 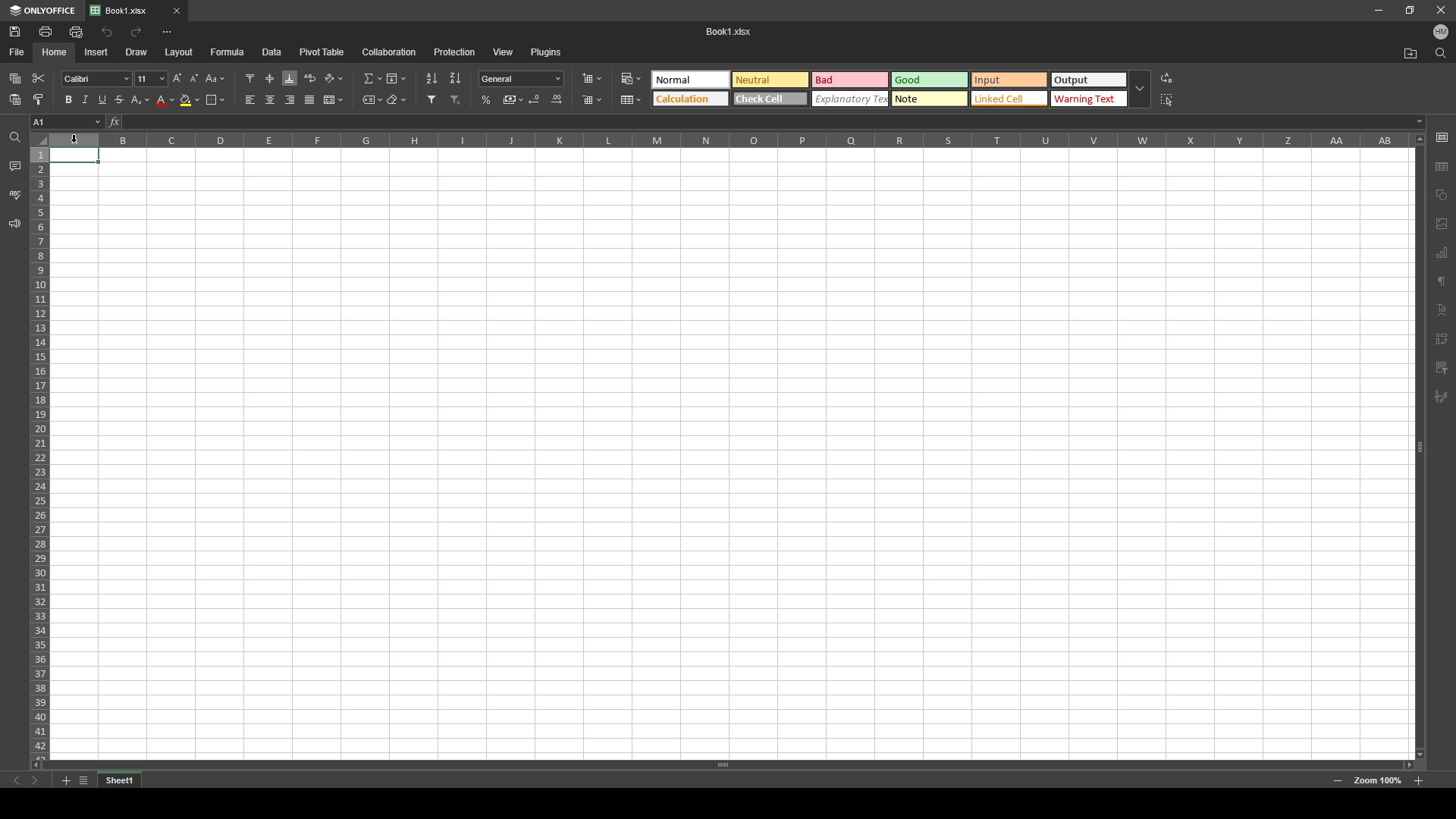 I want to click on draw, so click(x=136, y=52).